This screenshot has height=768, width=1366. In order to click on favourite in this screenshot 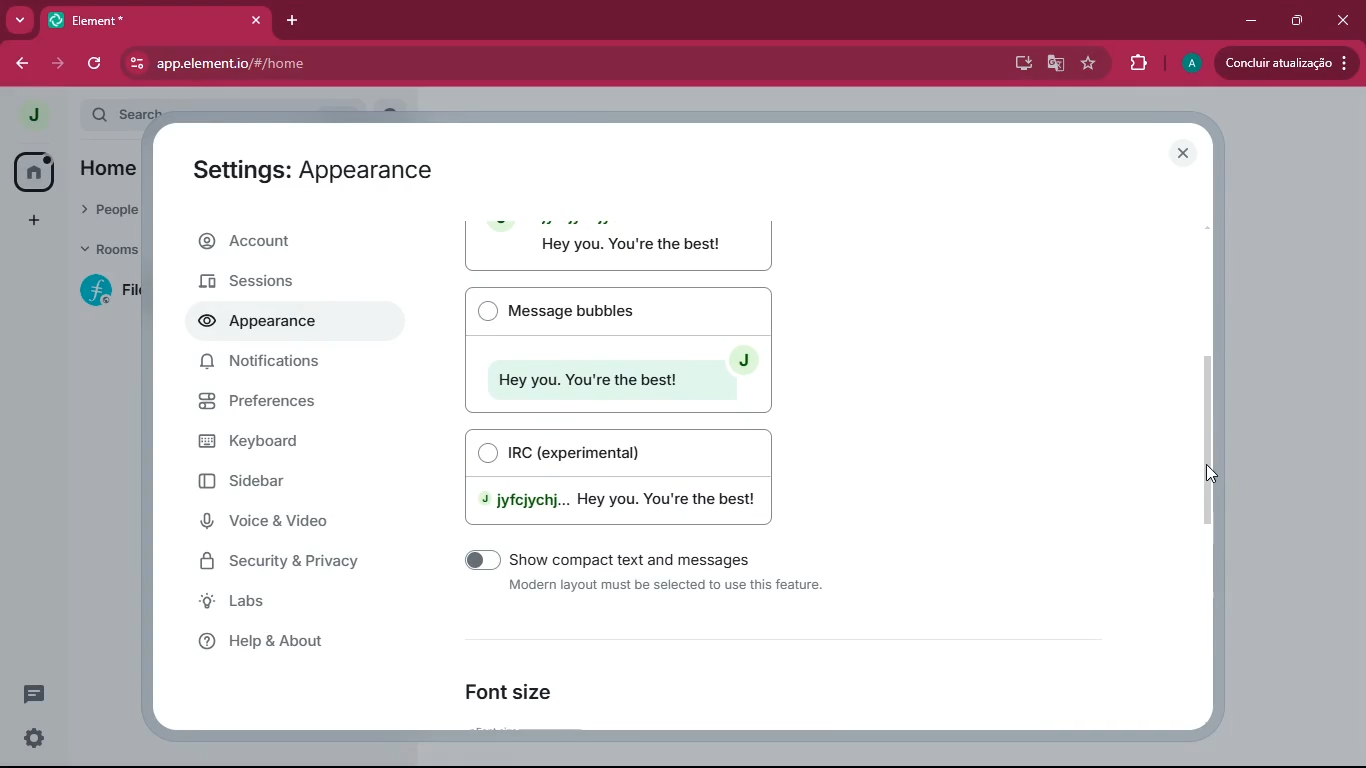, I will do `click(1089, 63)`.